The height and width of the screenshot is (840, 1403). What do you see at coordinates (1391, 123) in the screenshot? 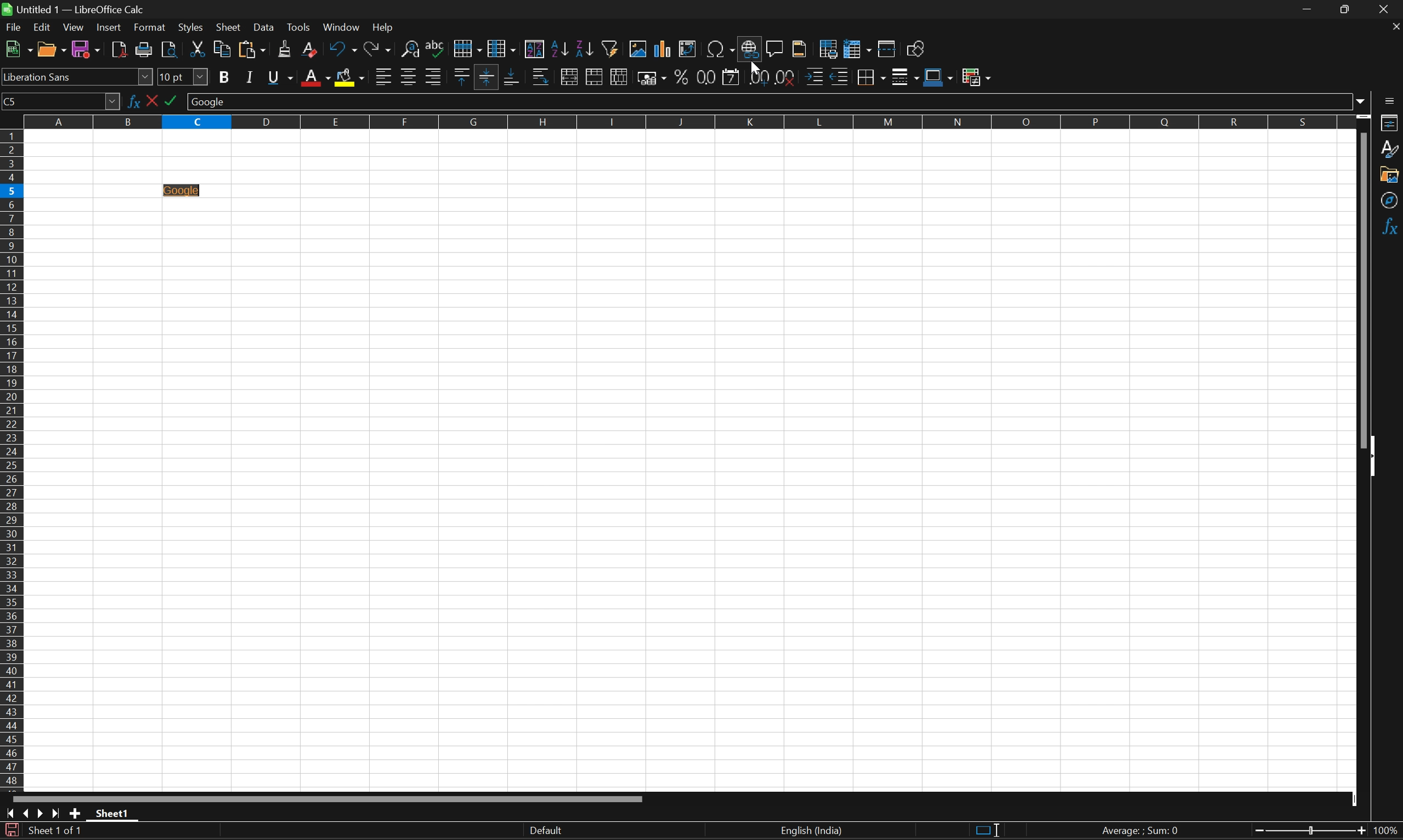
I see `Properties` at bounding box center [1391, 123].